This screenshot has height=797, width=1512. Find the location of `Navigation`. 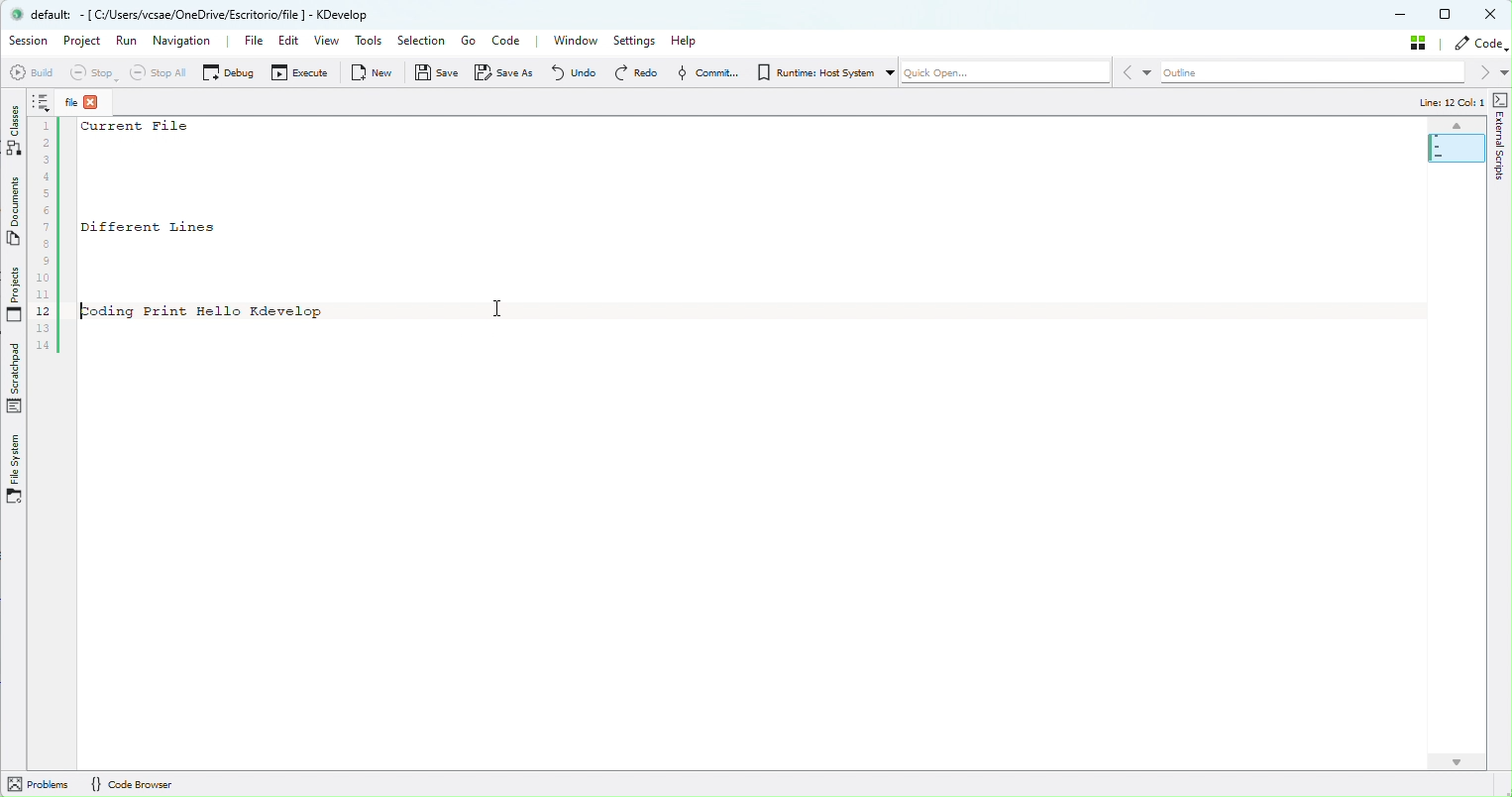

Navigation is located at coordinates (188, 42).